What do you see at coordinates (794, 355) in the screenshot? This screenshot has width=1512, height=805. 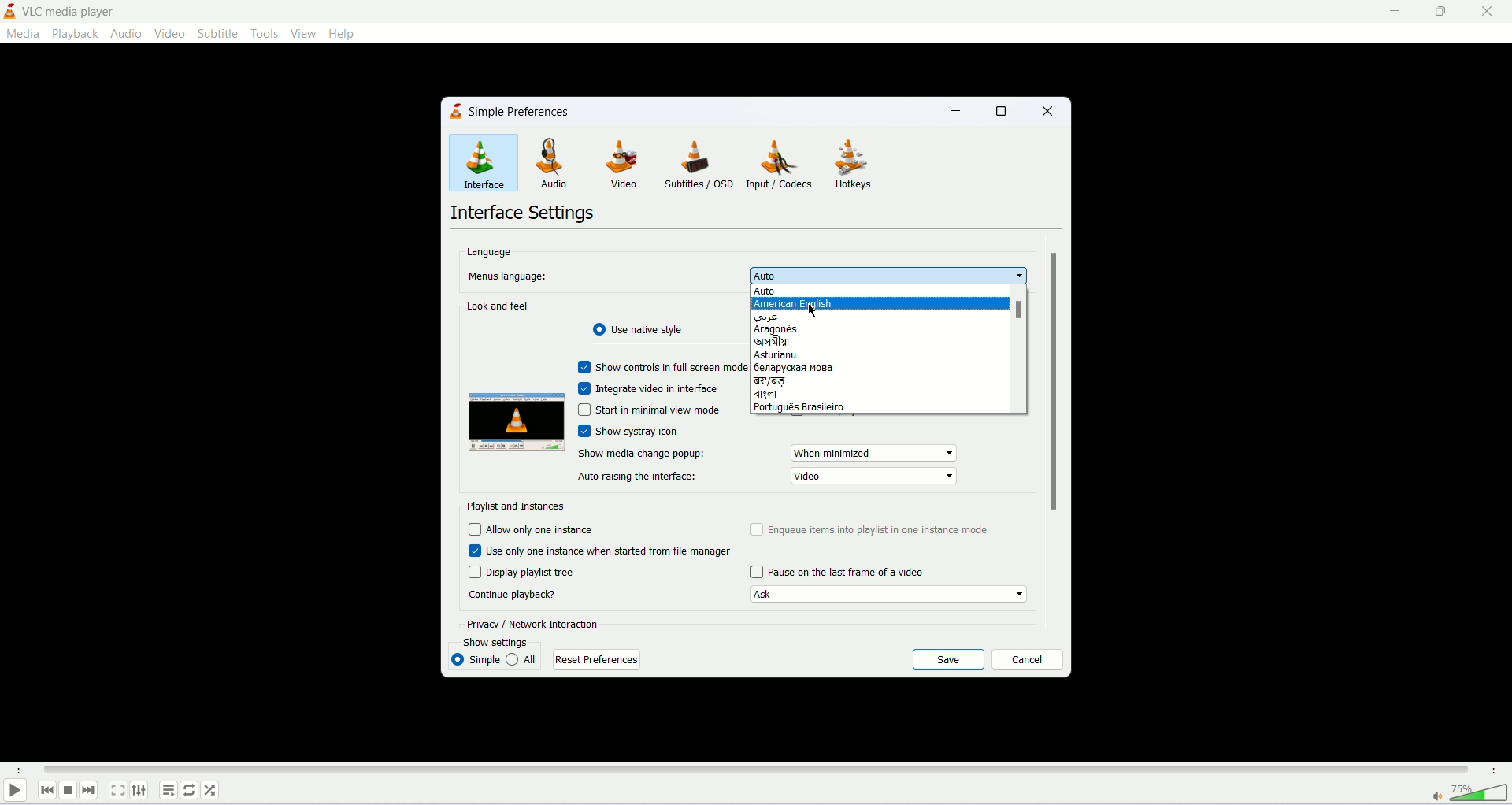 I see `asturainu` at bounding box center [794, 355].